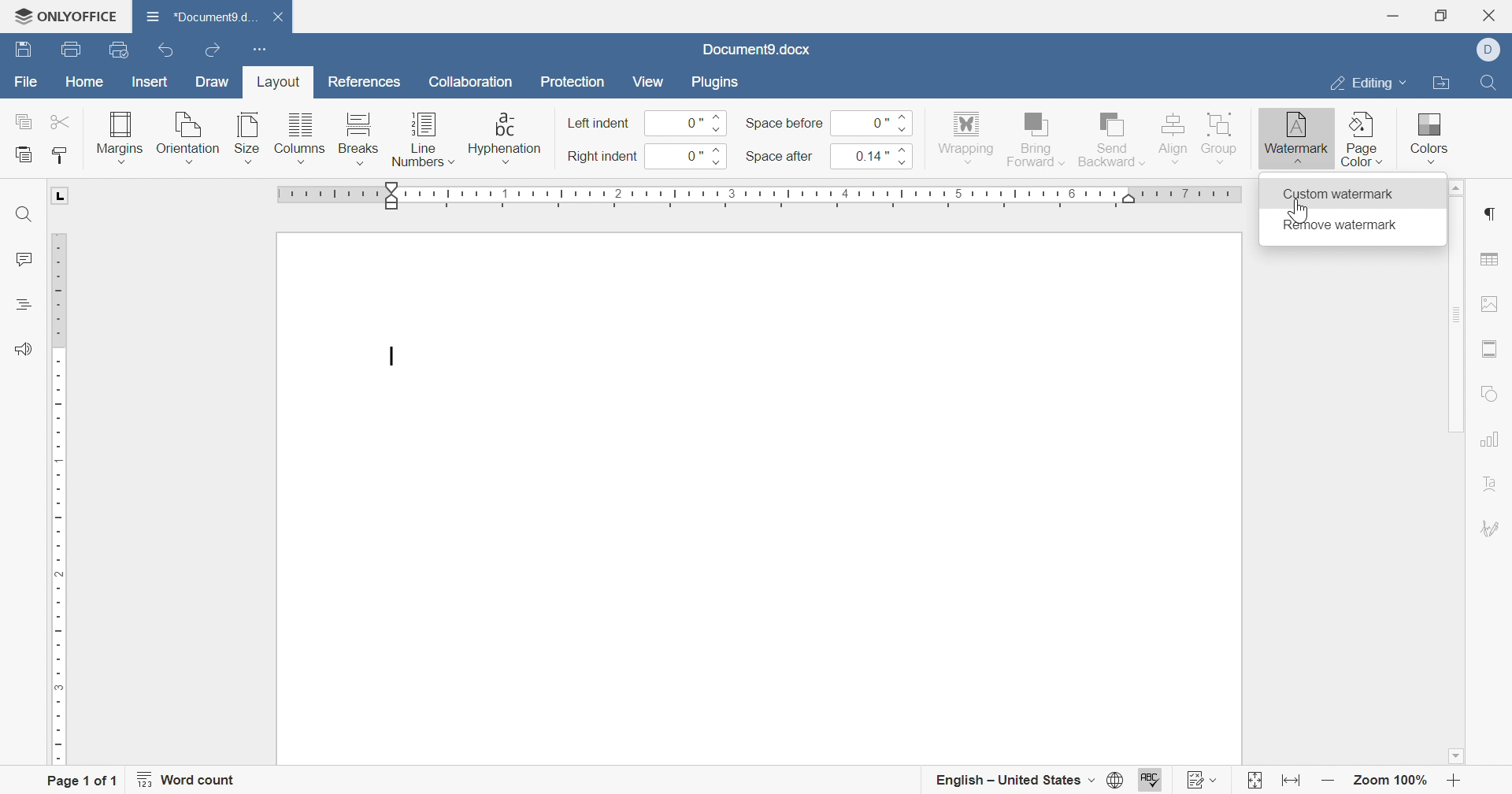 The width and height of the screenshot is (1512, 794). What do you see at coordinates (213, 82) in the screenshot?
I see `draw` at bounding box center [213, 82].